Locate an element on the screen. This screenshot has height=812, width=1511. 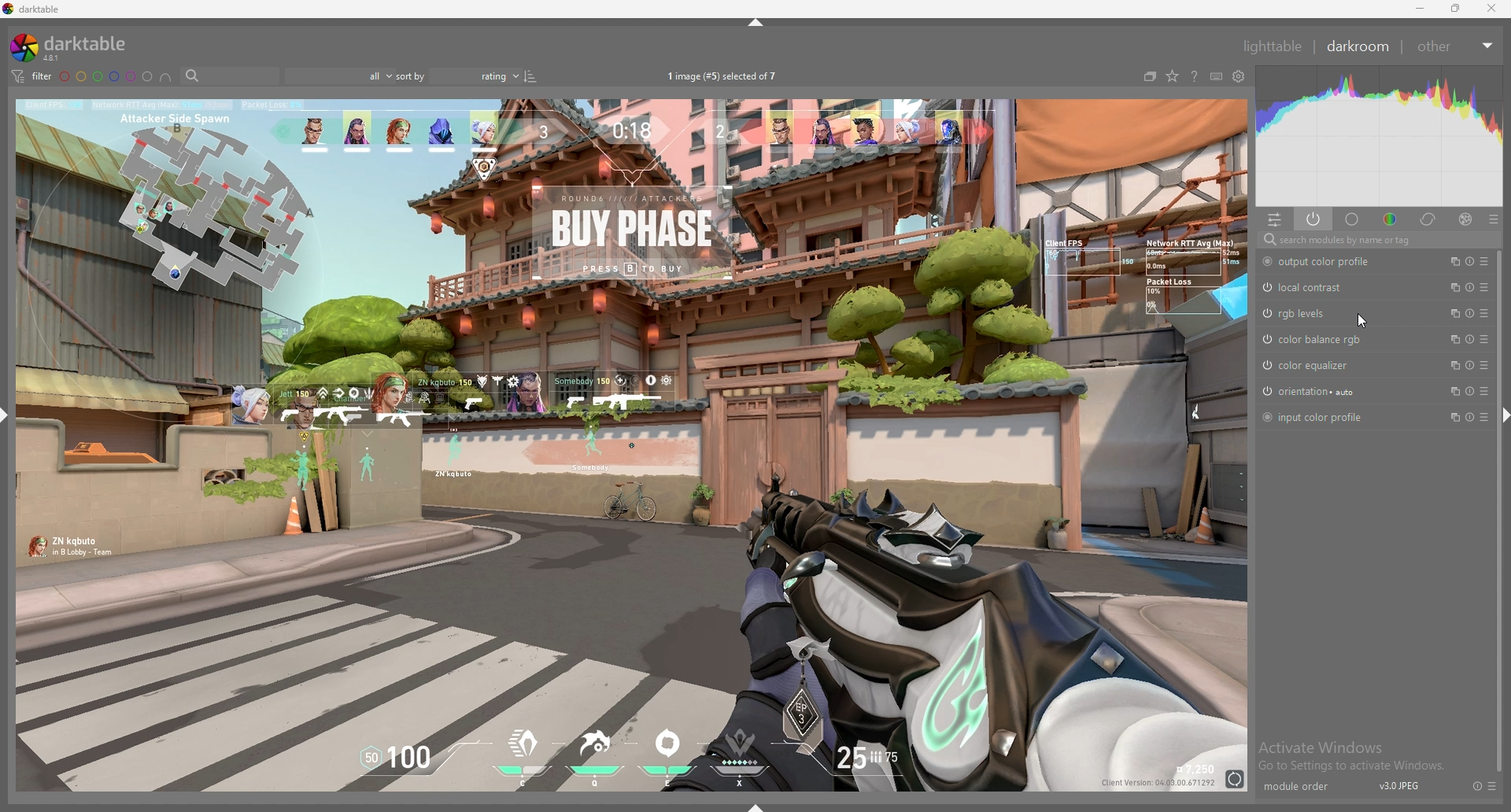
switched on is located at coordinates (1265, 365).